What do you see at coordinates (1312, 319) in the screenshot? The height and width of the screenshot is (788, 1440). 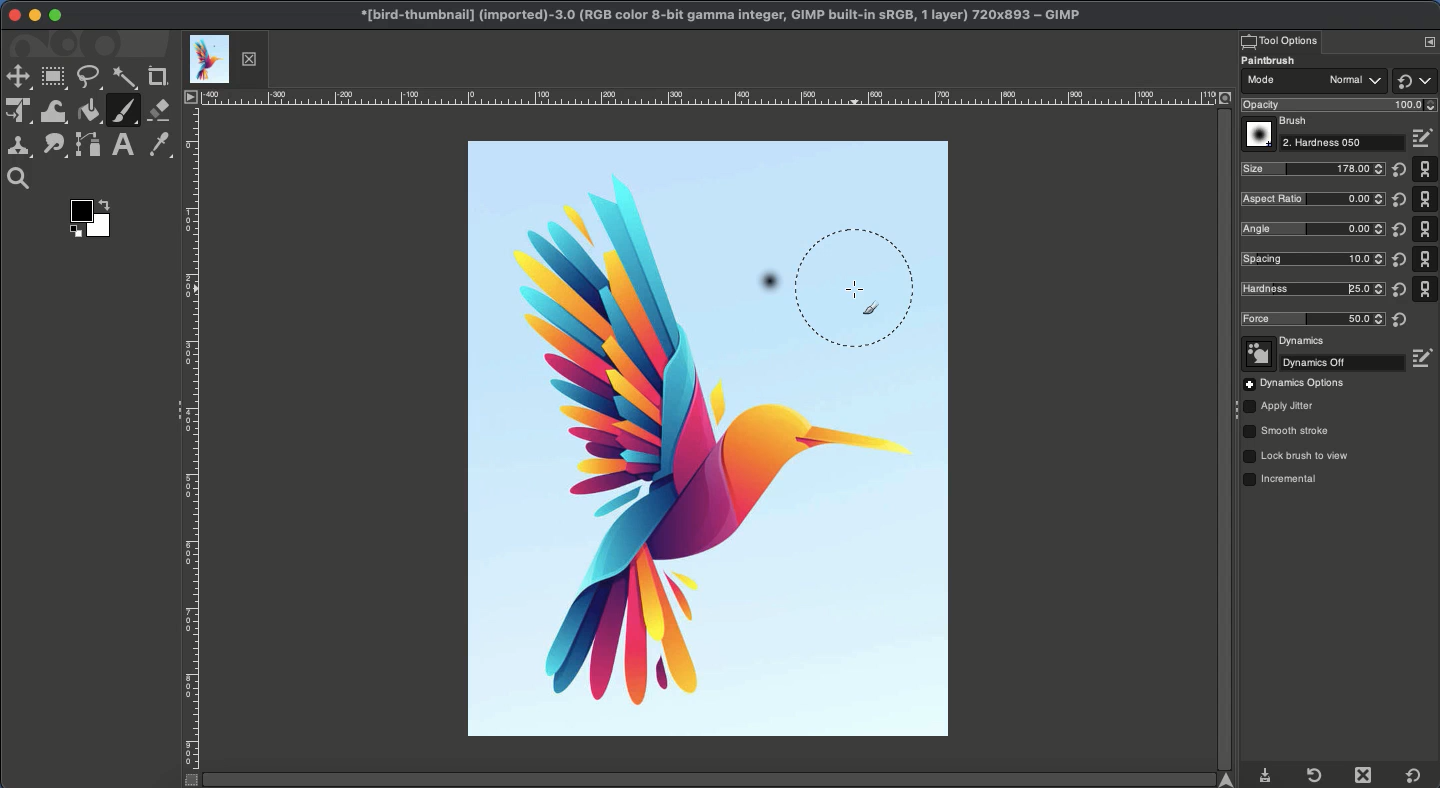 I see `Force` at bounding box center [1312, 319].